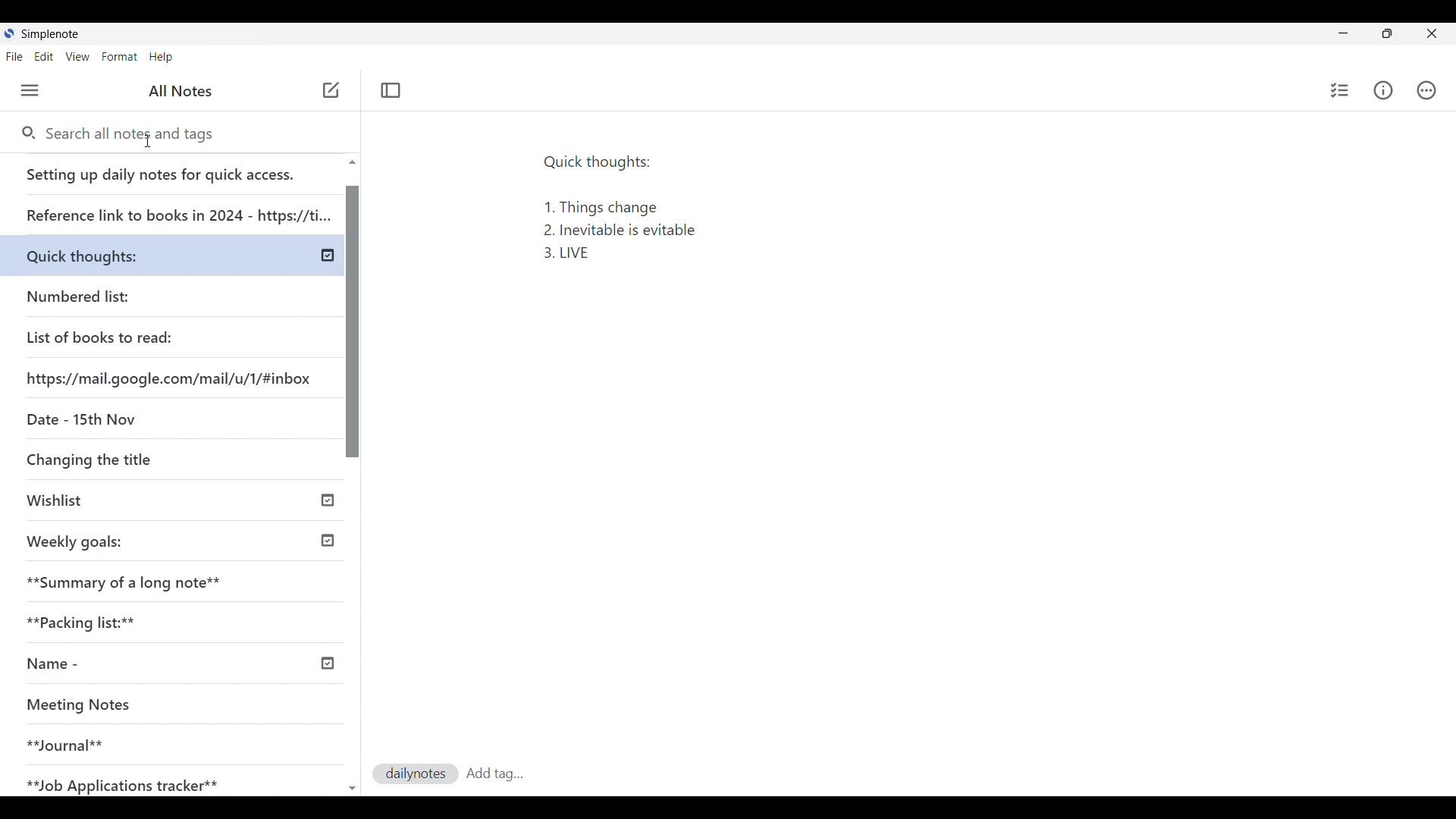 This screenshot has height=819, width=1456. Describe the element at coordinates (494, 773) in the screenshot. I see `Add tag` at that location.